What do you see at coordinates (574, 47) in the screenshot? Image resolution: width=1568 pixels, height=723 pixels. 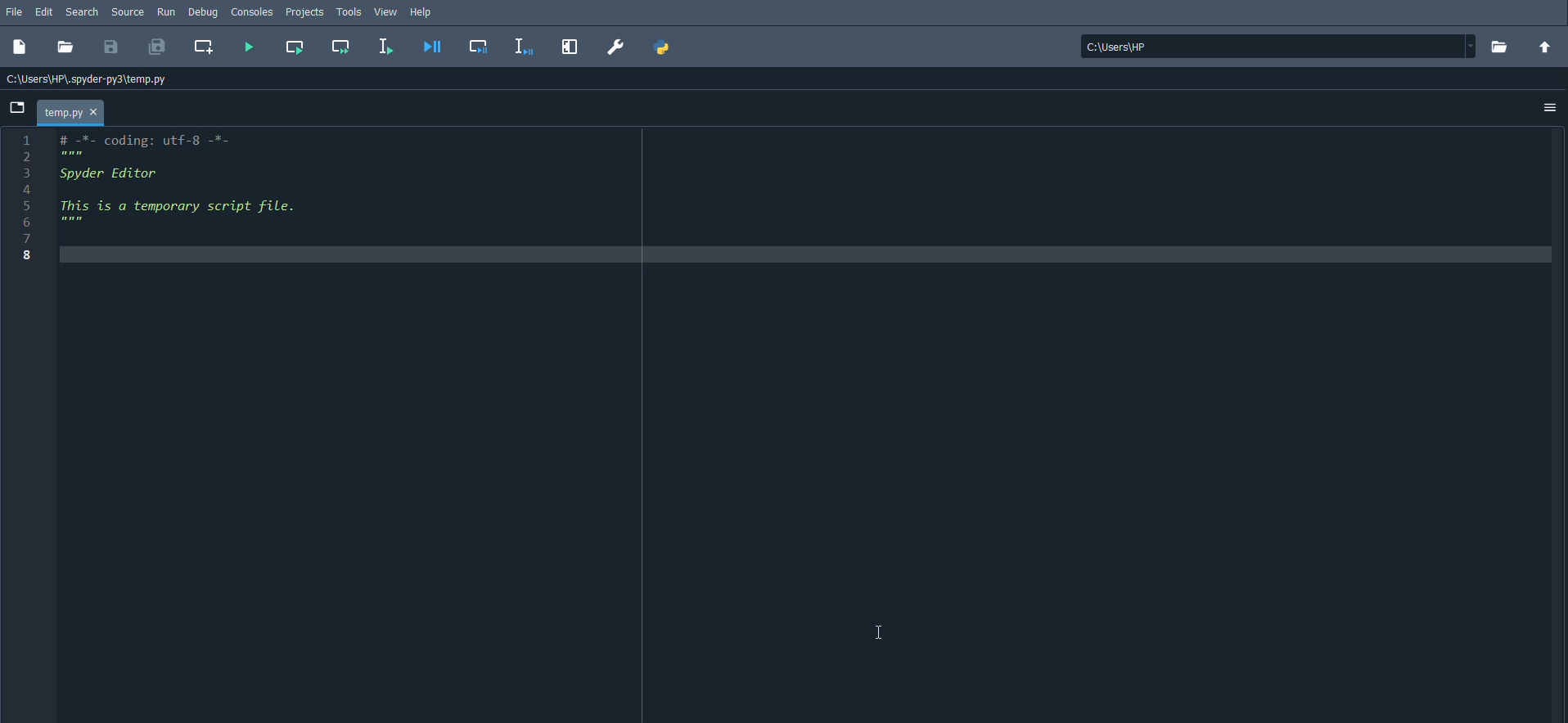 I see `Maximize current pane` at bounding box center [574, 47].